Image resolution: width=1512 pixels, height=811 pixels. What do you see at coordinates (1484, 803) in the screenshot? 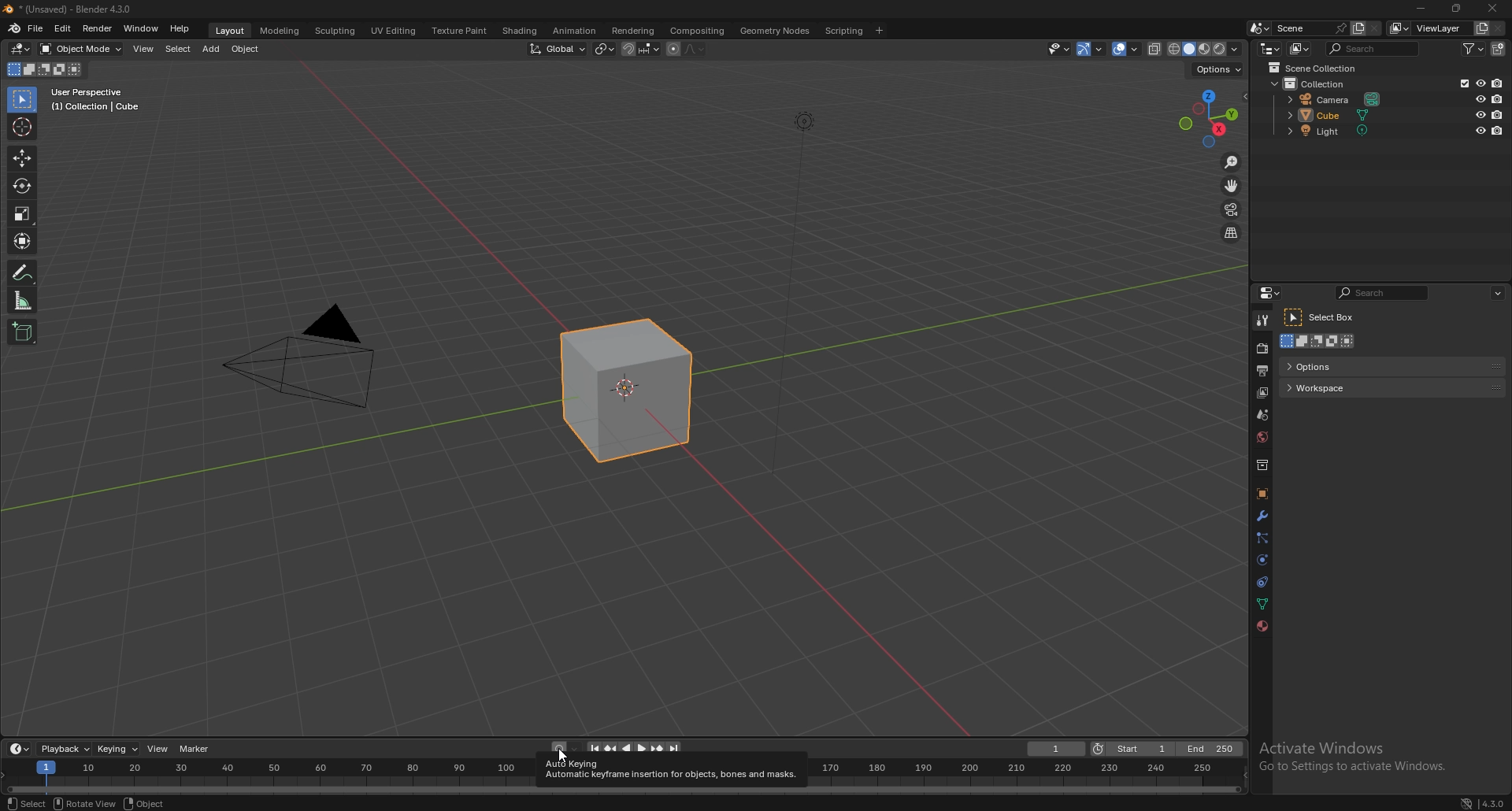
I see `version` at bounding box center [1484, 803].